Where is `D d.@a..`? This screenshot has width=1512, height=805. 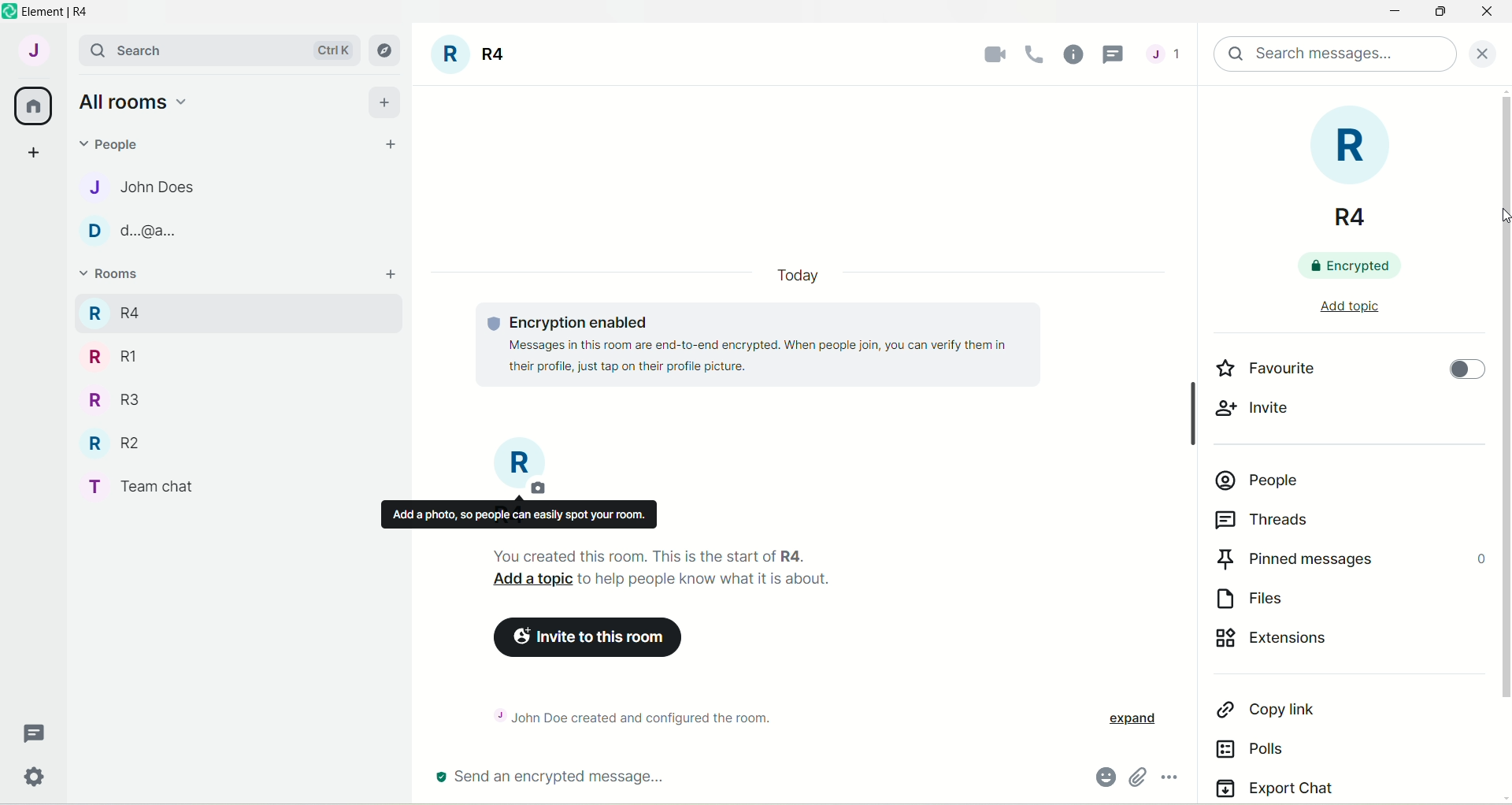
D d.@a.. is located at coordinates (127, 231).